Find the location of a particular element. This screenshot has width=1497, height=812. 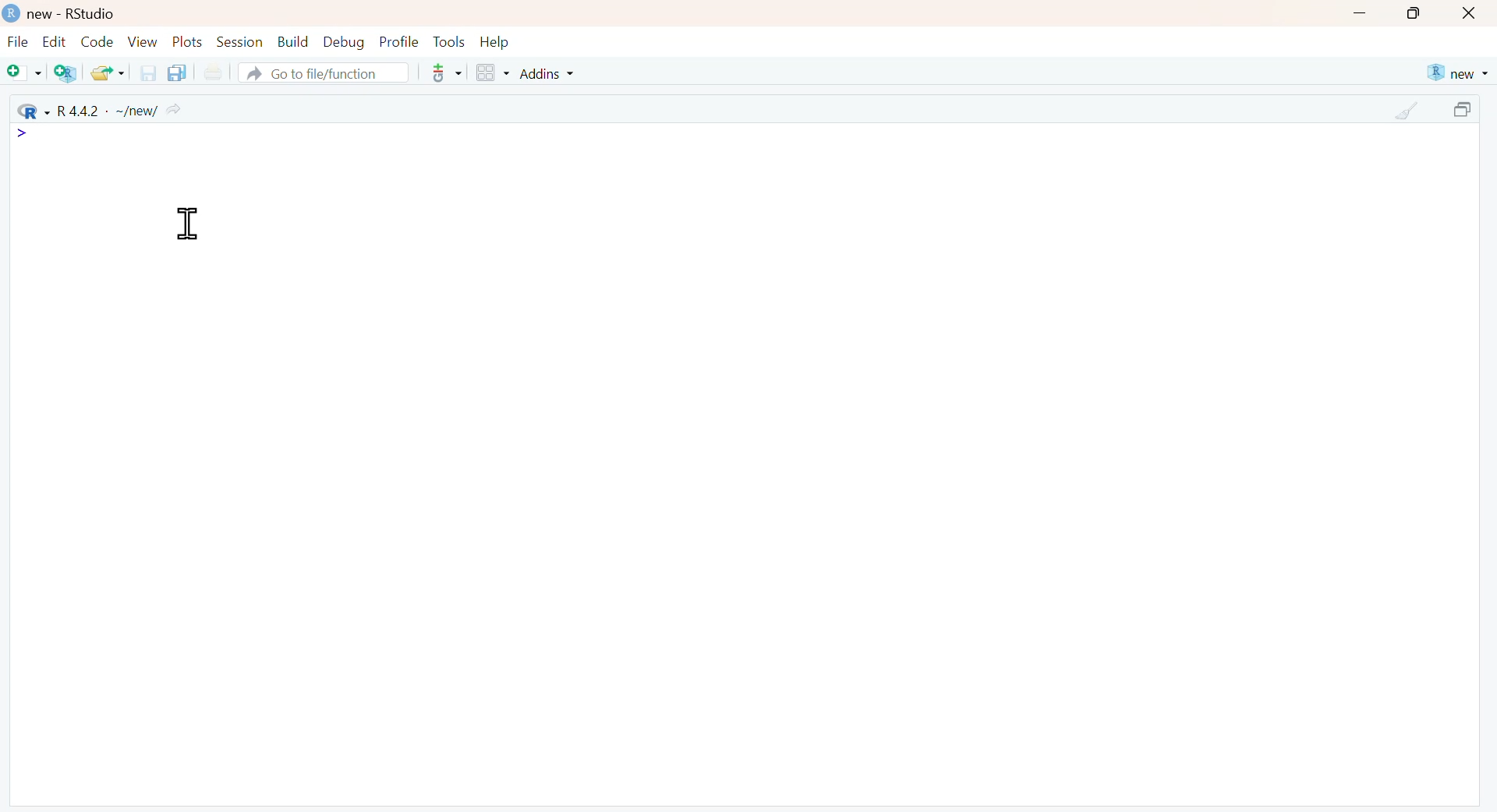

close is located at coordinates (1469, 14).